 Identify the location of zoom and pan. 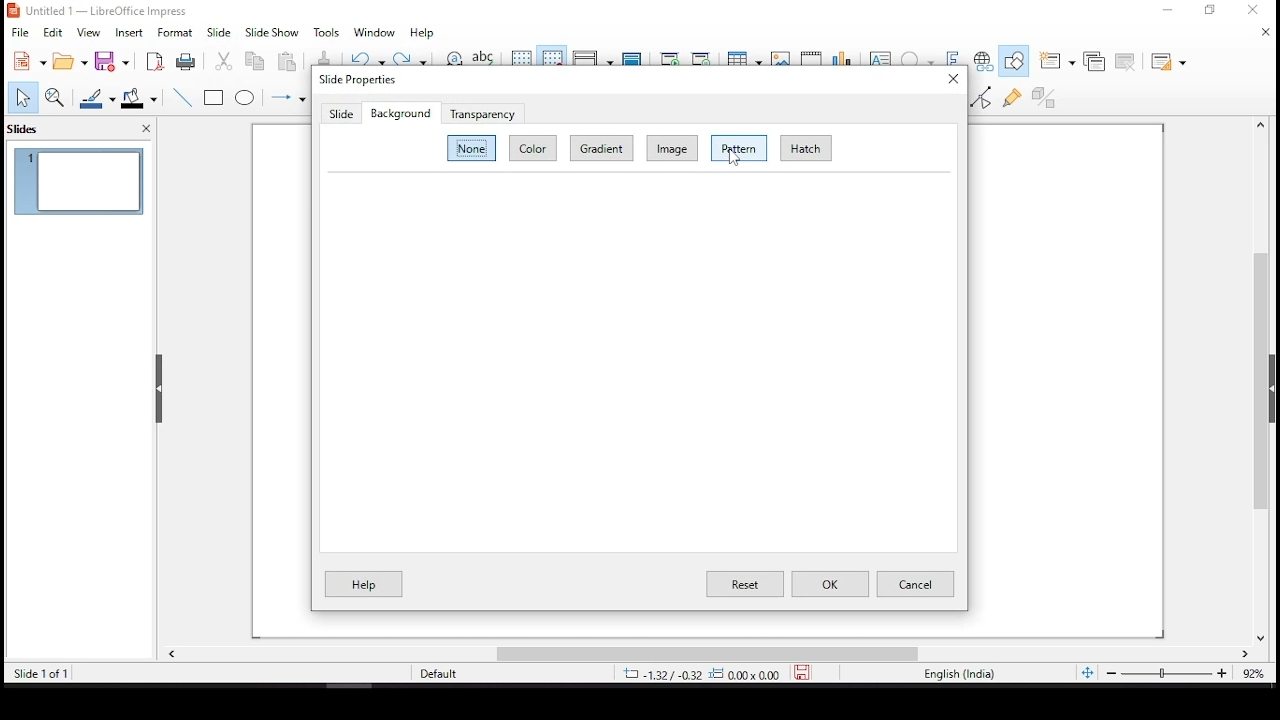
(58, 98).